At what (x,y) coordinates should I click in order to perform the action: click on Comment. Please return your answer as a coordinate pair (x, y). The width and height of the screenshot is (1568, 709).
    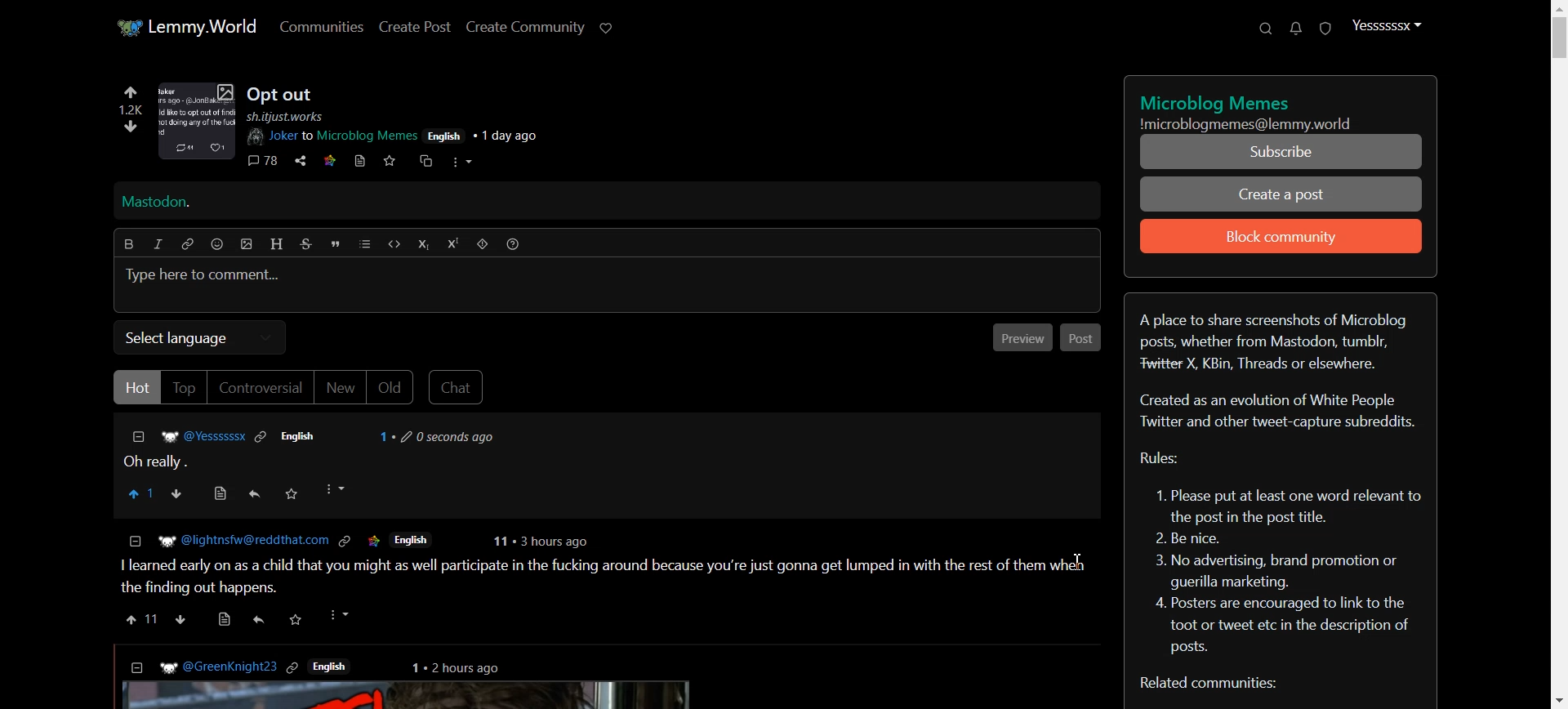
    Looking at the image, I should click on (327, 447).